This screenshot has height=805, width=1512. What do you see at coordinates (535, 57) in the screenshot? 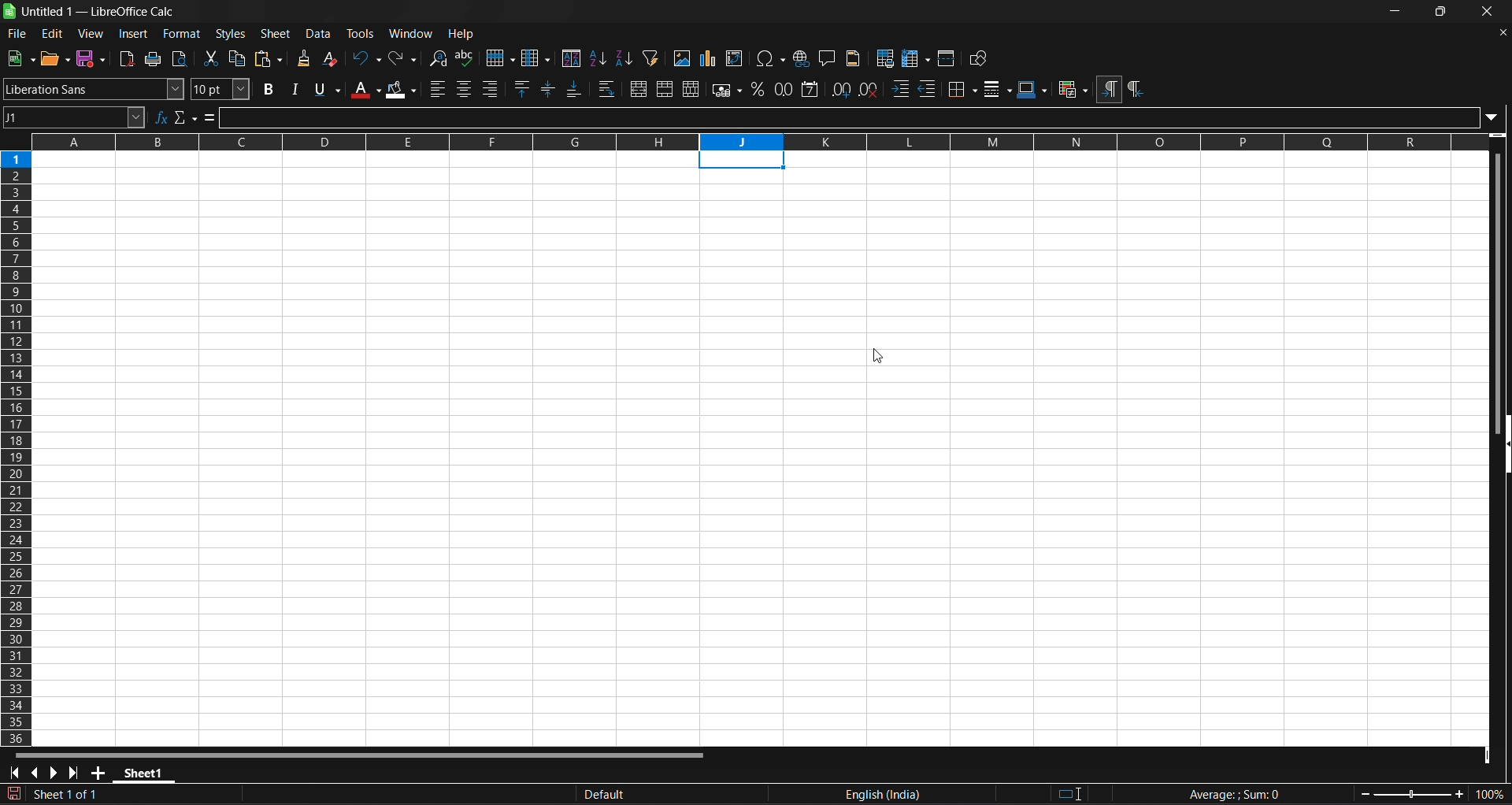
I see `columns` at bounding box center [535, 57].